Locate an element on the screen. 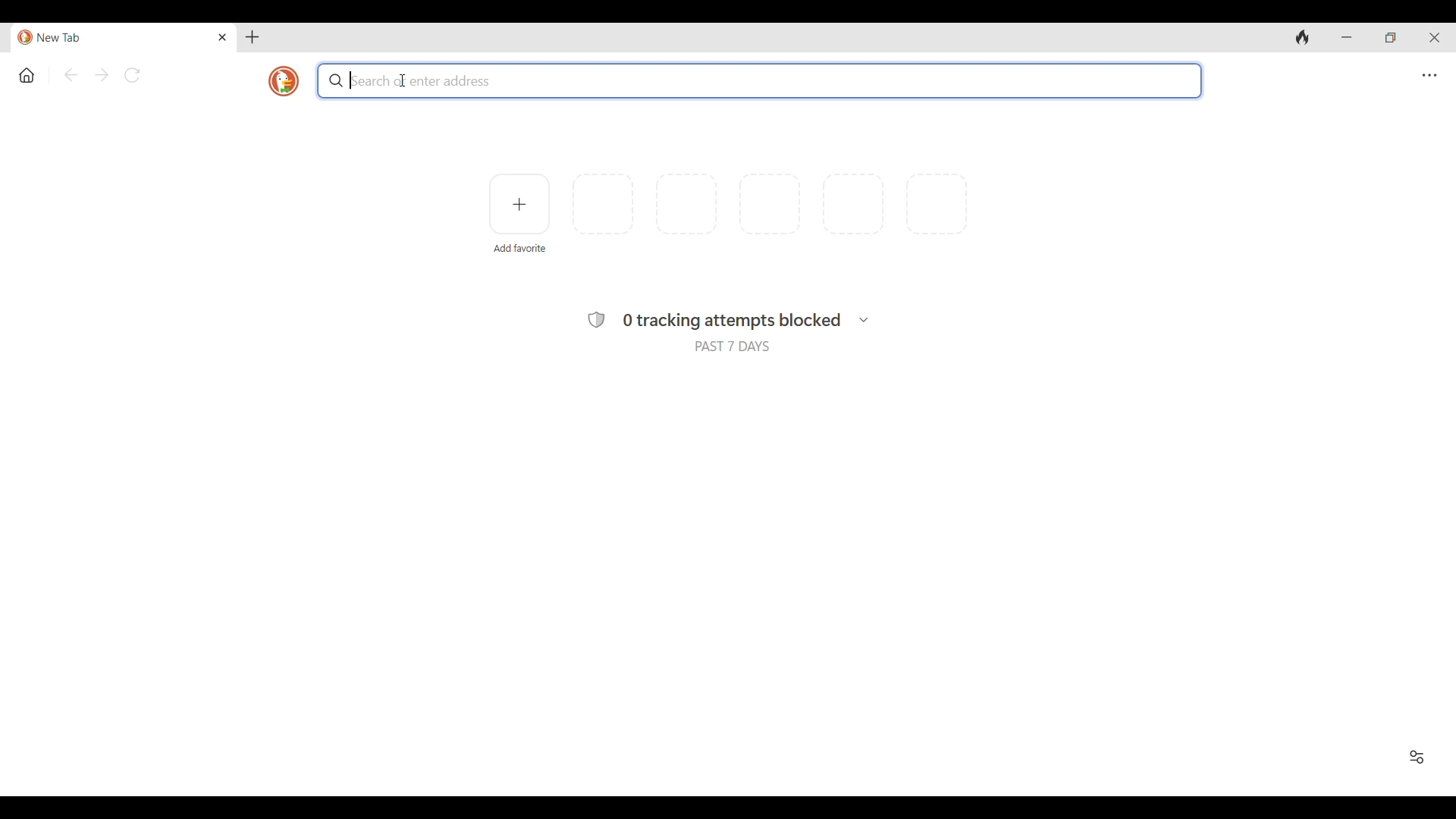 The width and height of the screenshot is (1456, 819). Browser logo is located at coordinates (284, 81).